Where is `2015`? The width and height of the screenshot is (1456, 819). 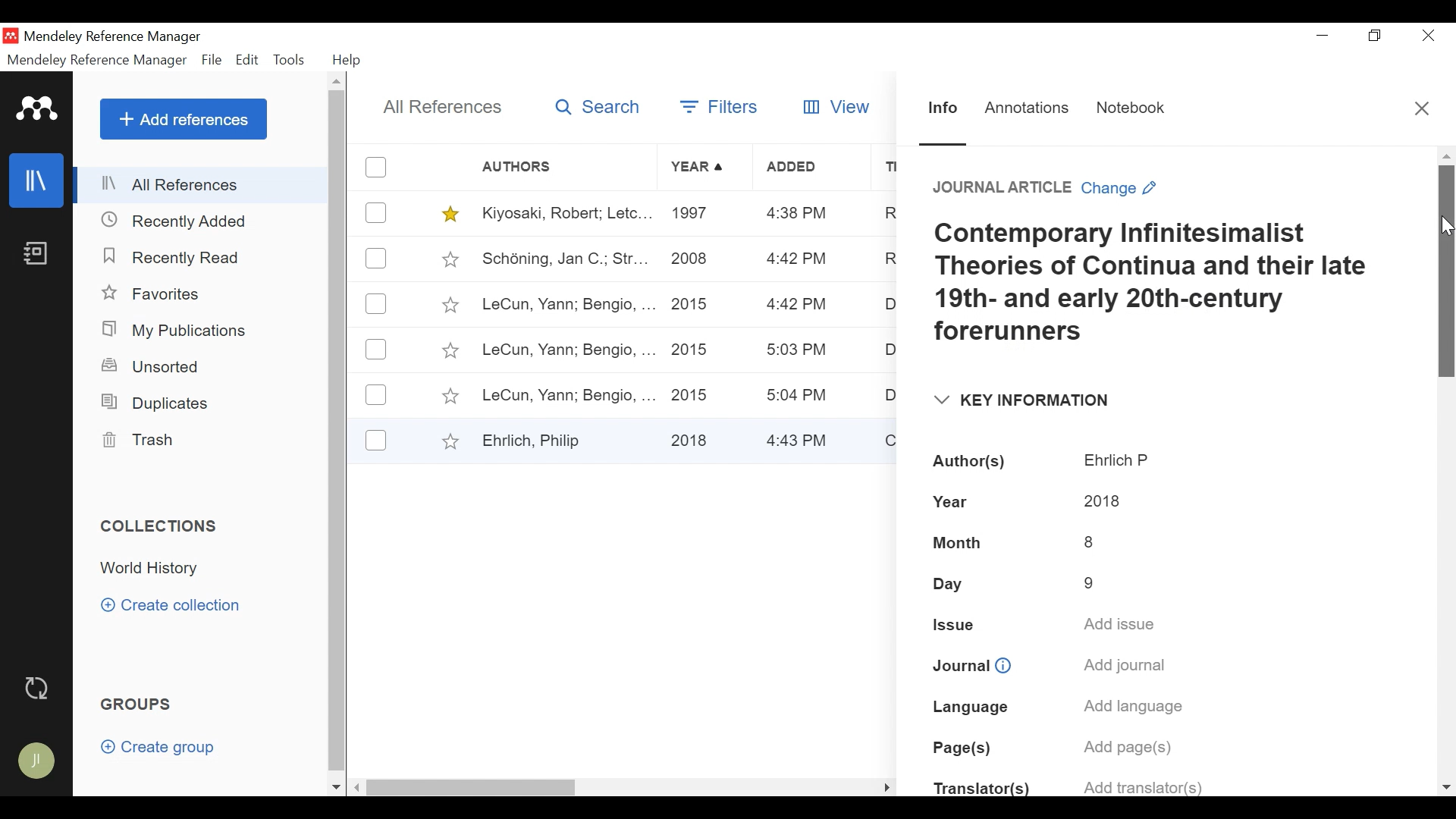 2015 is located at coordinates (695, 393).